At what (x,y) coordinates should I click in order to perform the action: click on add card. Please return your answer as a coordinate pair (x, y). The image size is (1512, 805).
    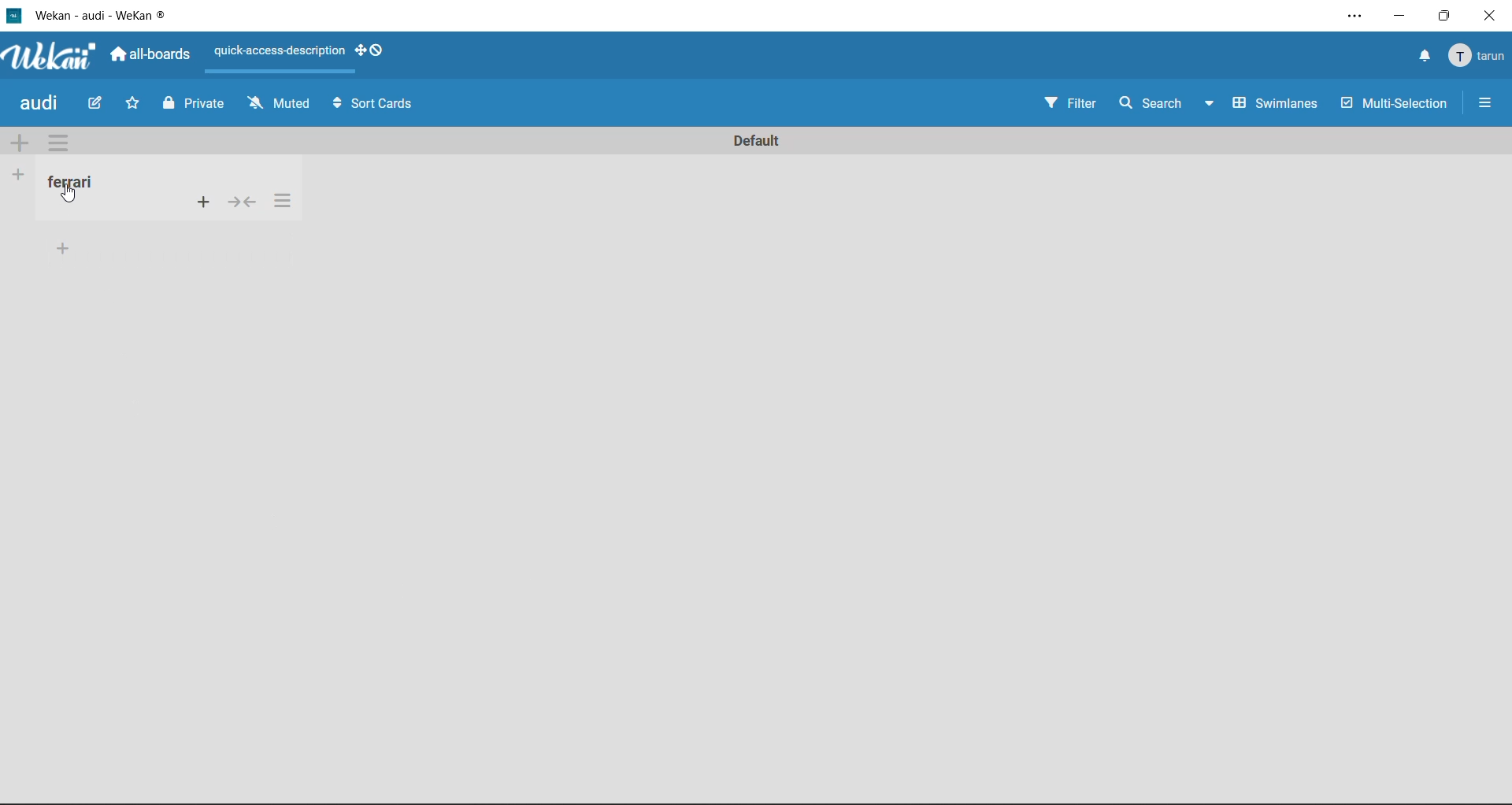
    Looking at the image, I should click on (202, 203).